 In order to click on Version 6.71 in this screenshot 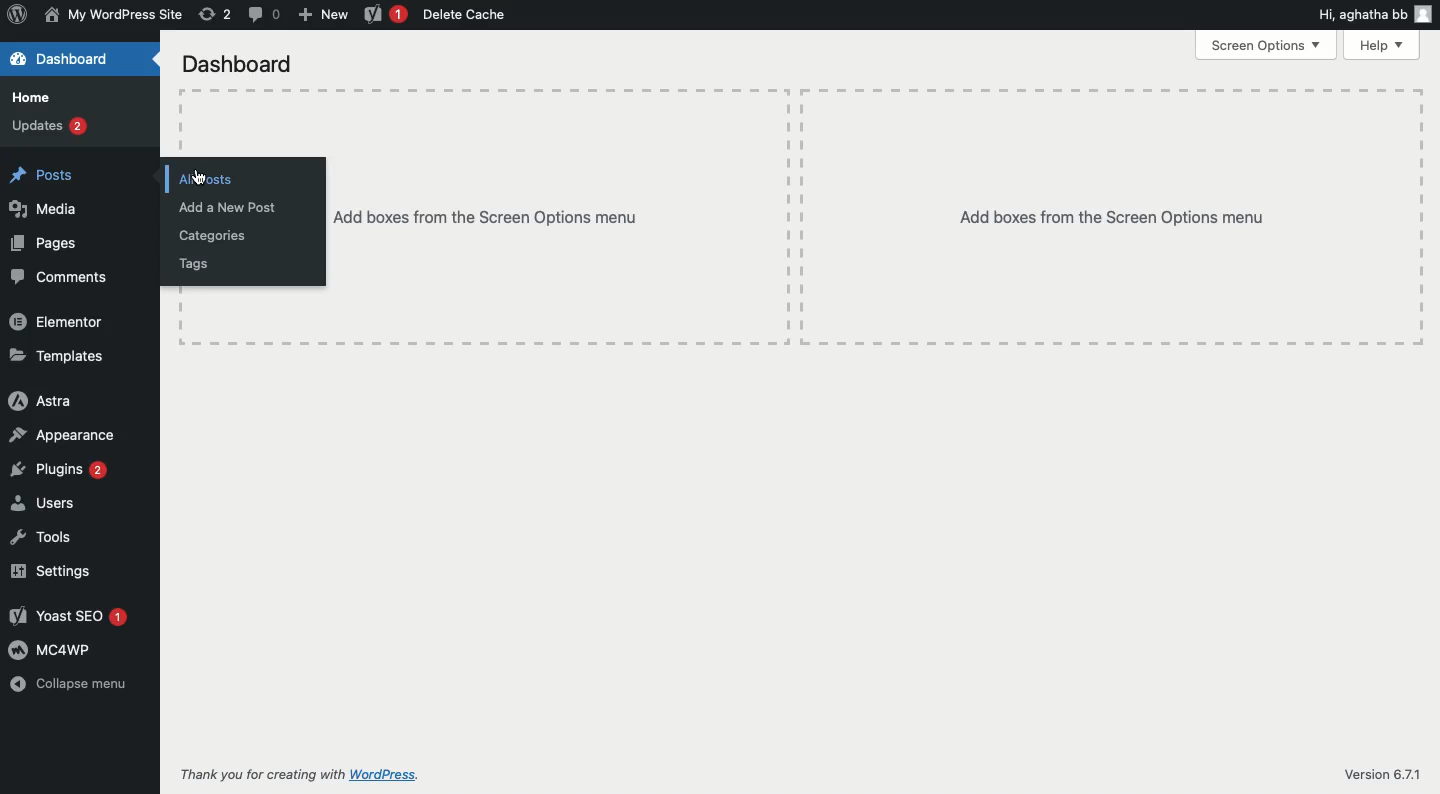, I will do `click(1372, 771)`.